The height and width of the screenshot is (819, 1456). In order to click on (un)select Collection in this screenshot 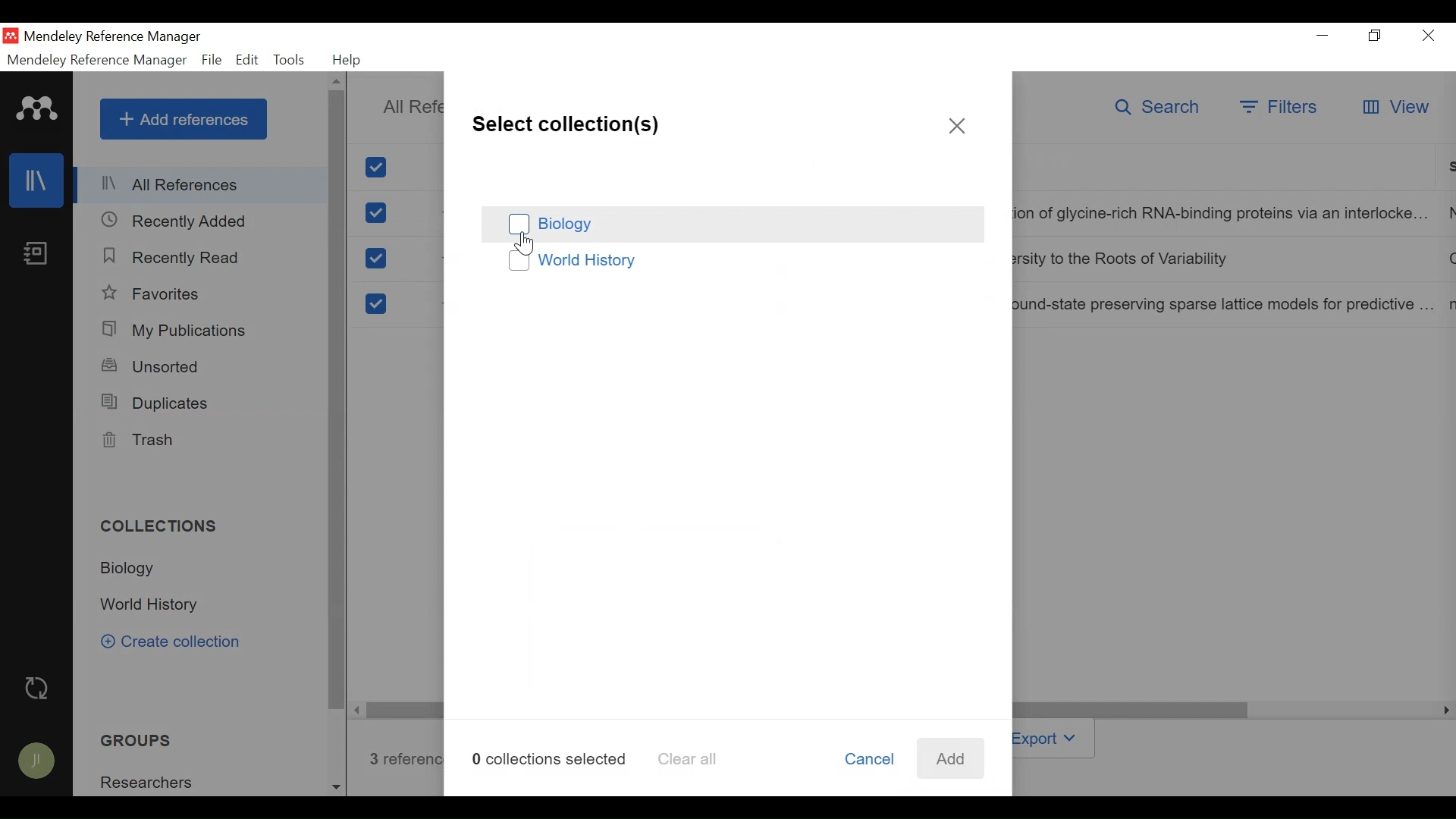, I will do `click(731, 224)`.